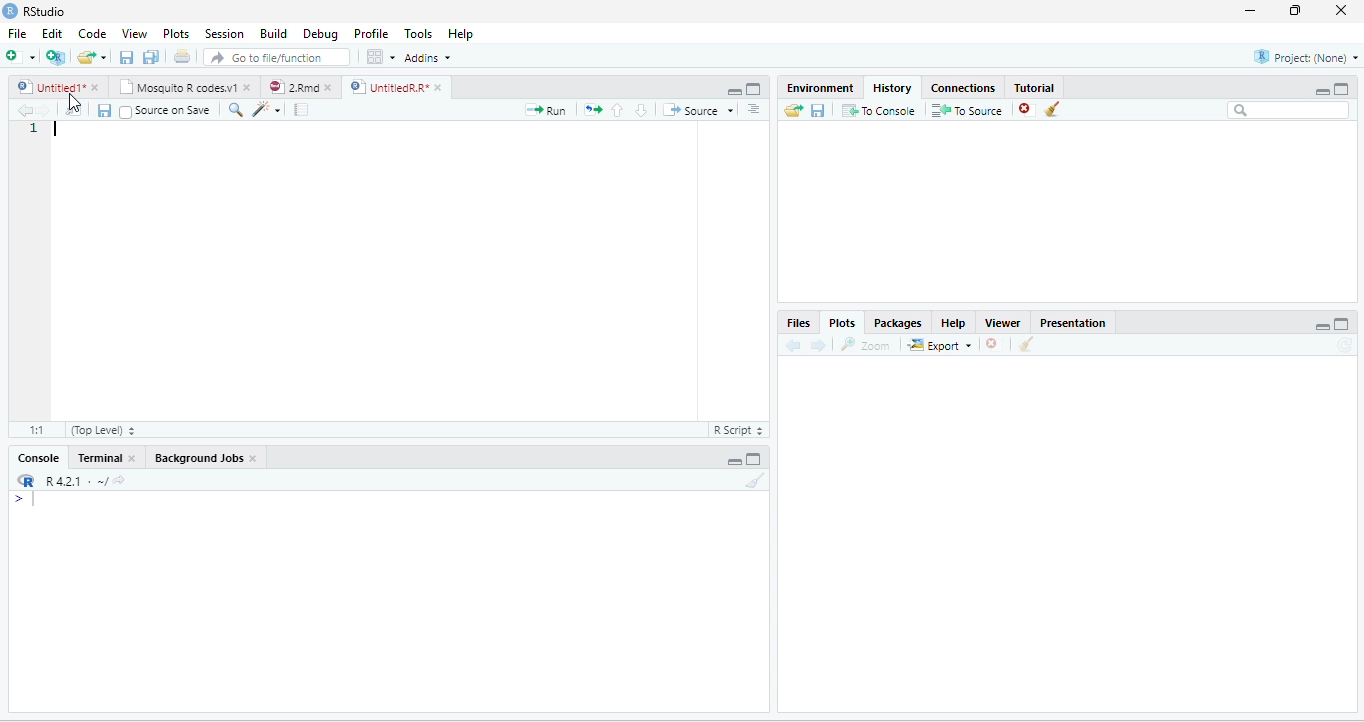 This screenshot has height=722, width=1364. I want to click on View the current working directory, so click(119, 479).